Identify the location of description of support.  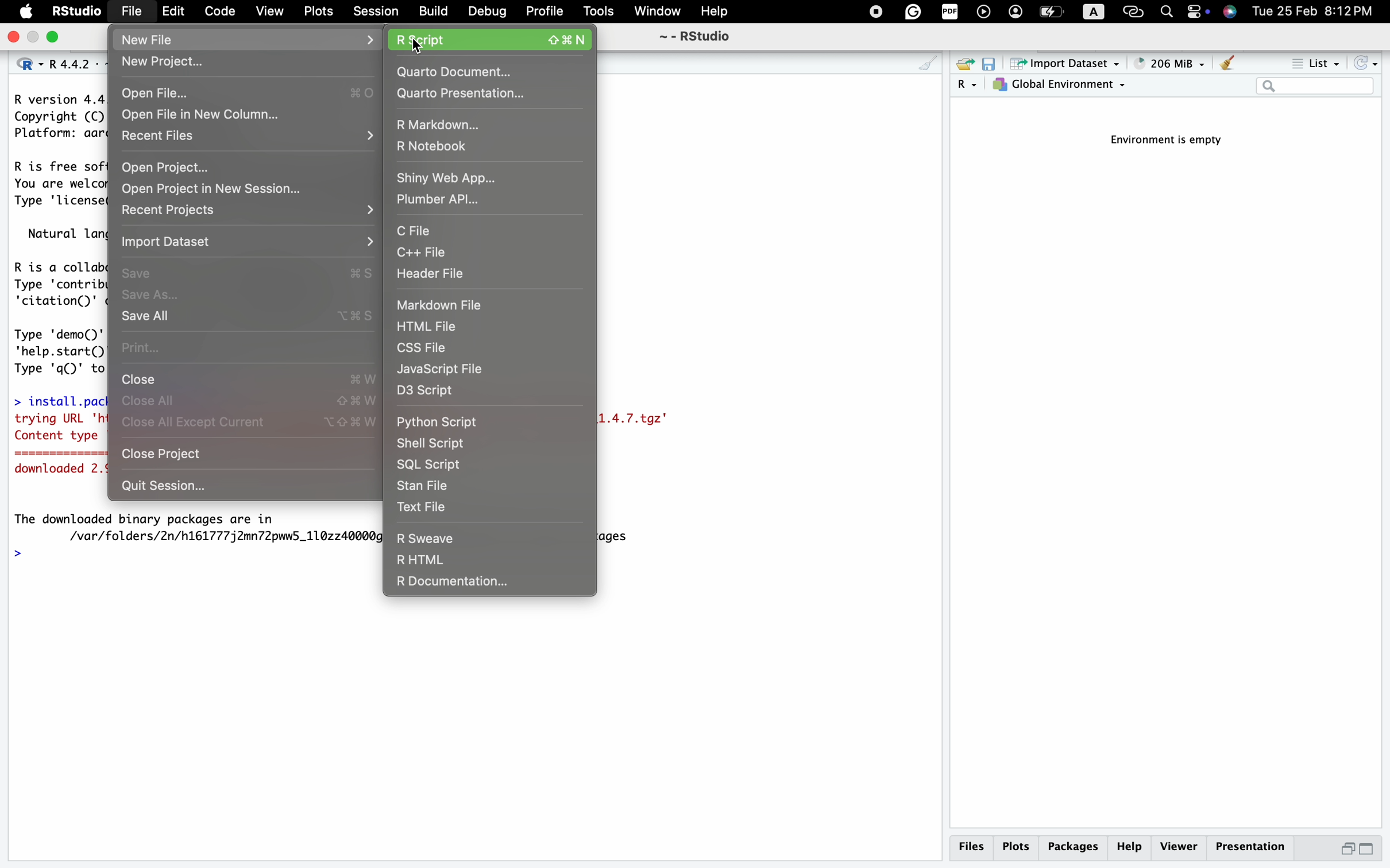
(64, 233).